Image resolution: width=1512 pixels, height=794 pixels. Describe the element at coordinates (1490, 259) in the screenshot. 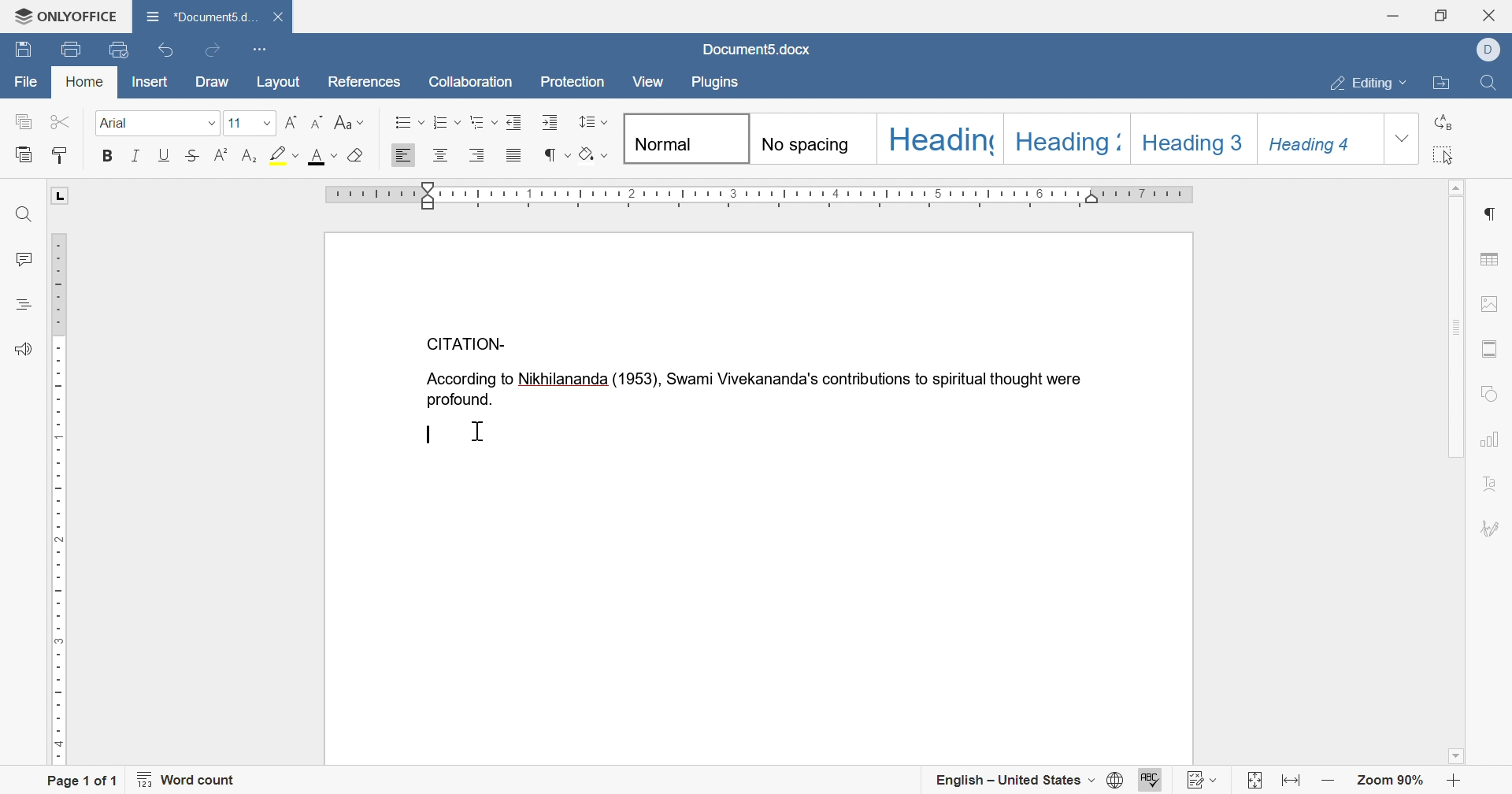

I see `table settings` at that location.